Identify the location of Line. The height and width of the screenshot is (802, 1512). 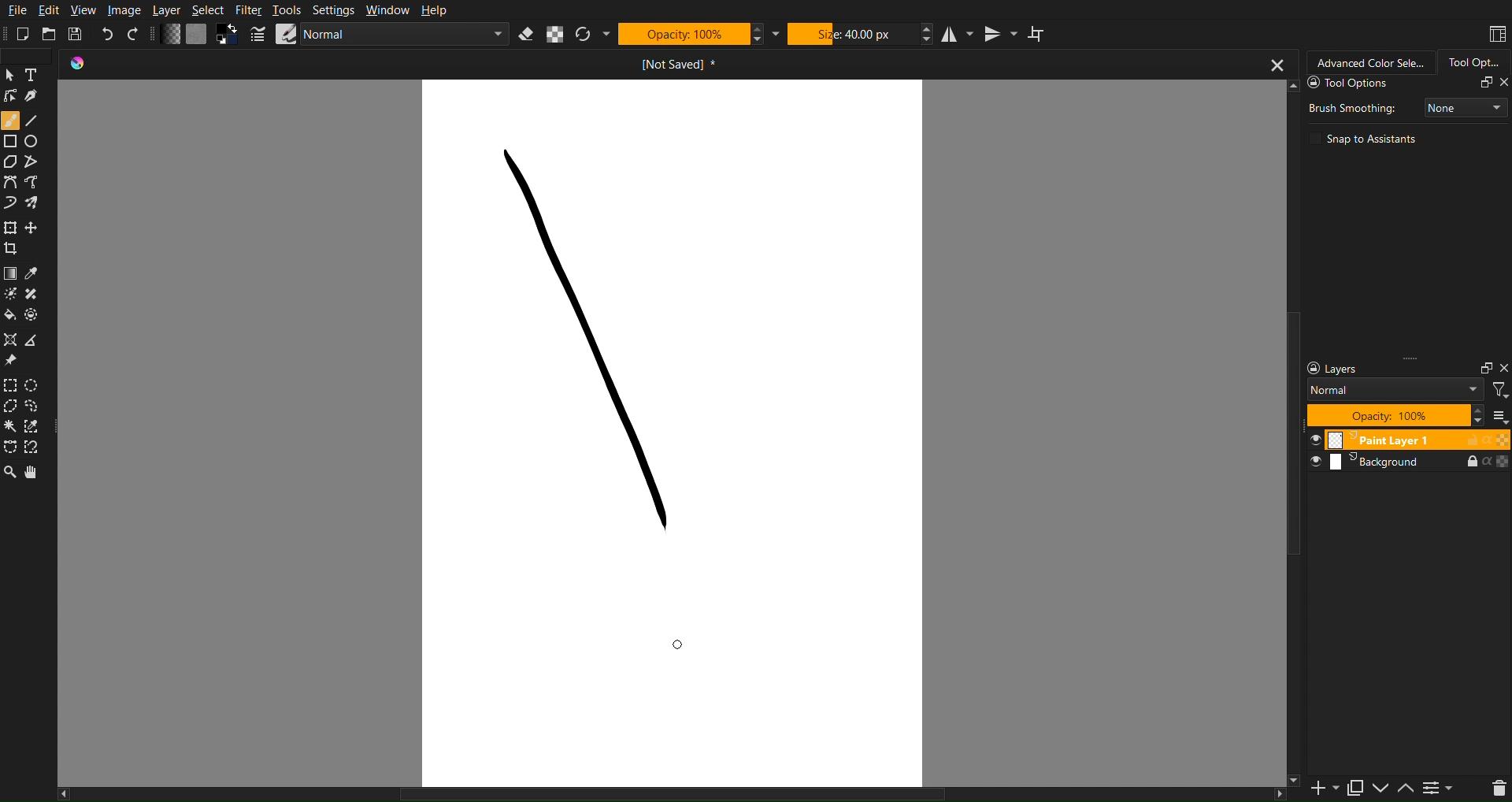
(39, 121).